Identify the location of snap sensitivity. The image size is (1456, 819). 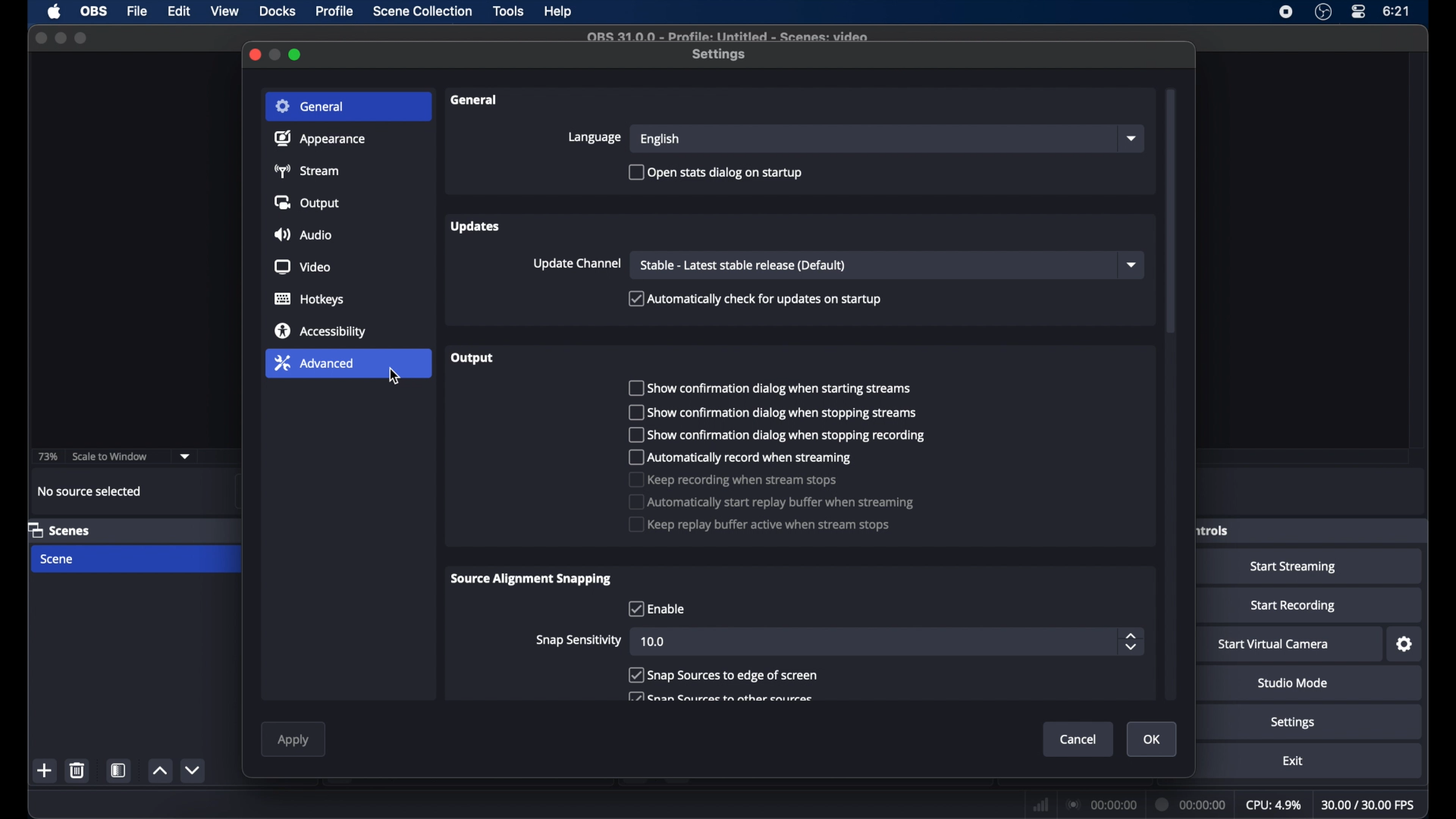
(581, 640).